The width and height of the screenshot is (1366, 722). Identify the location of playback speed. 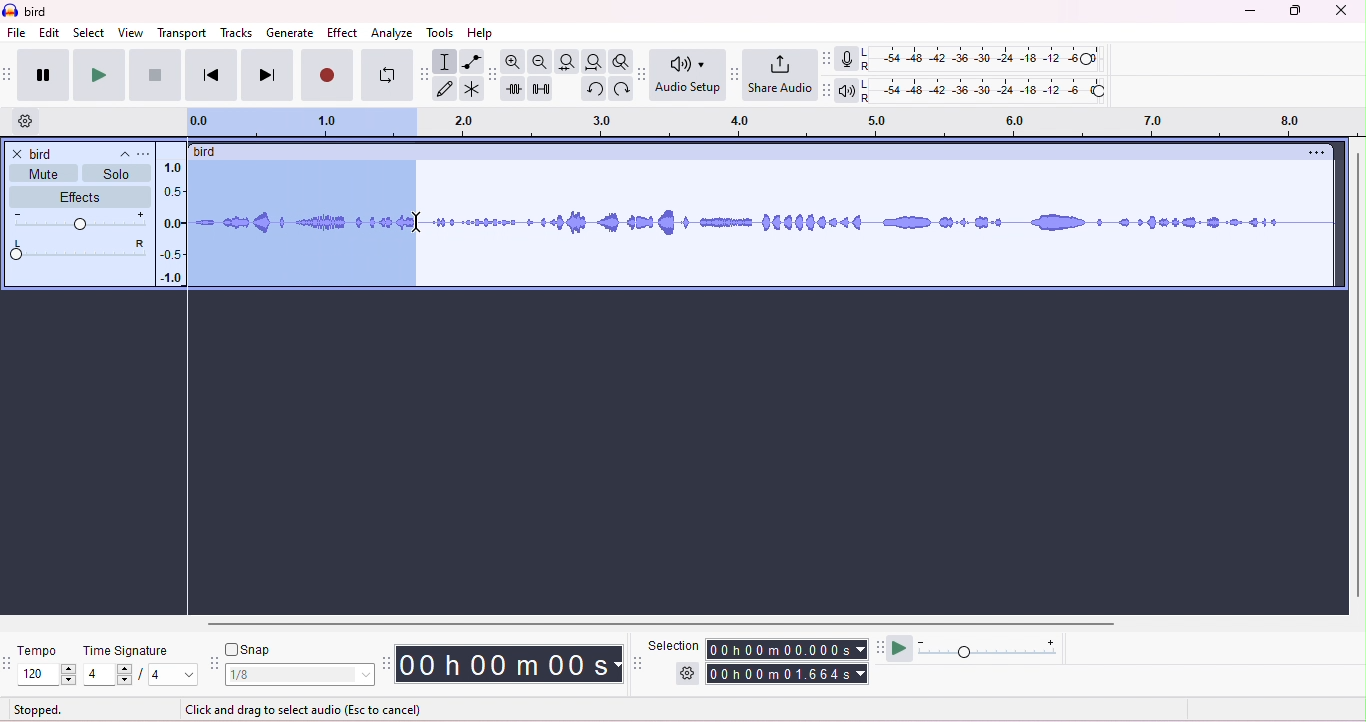
(993, 647).